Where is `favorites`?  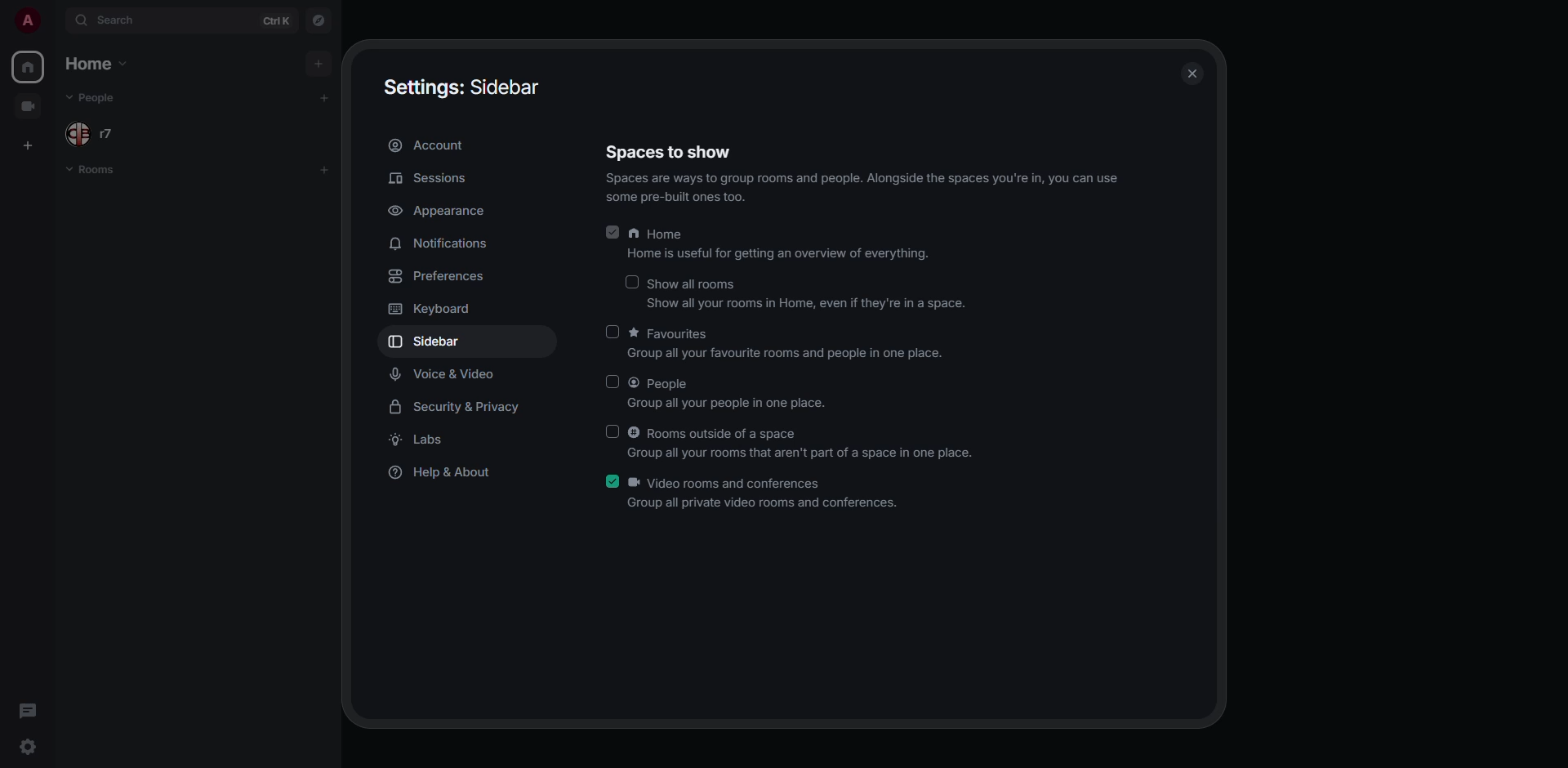
favorites is located at coordinates (786, 343).